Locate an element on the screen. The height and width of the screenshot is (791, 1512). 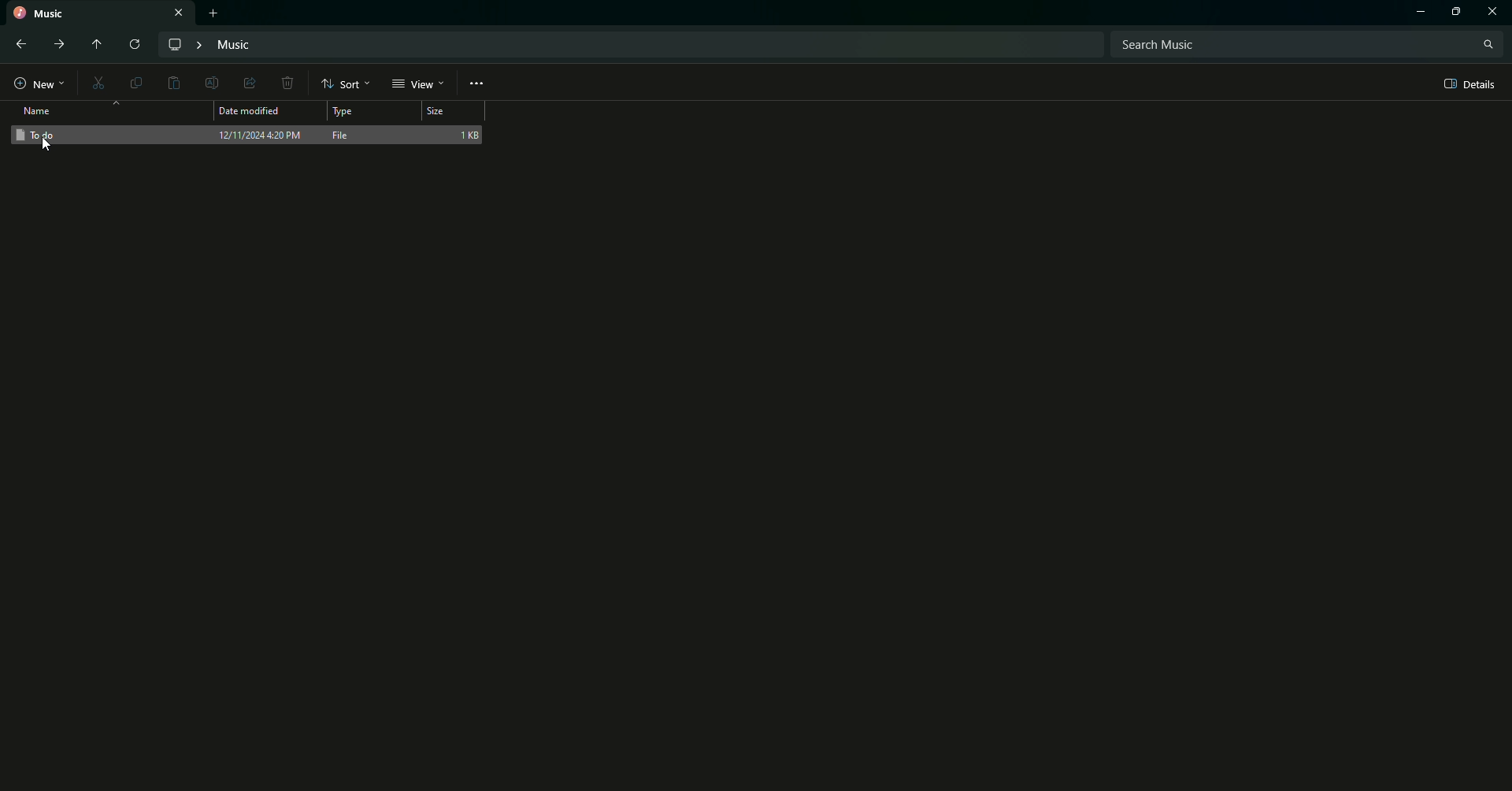
Type is located at coordinates (362, 111).